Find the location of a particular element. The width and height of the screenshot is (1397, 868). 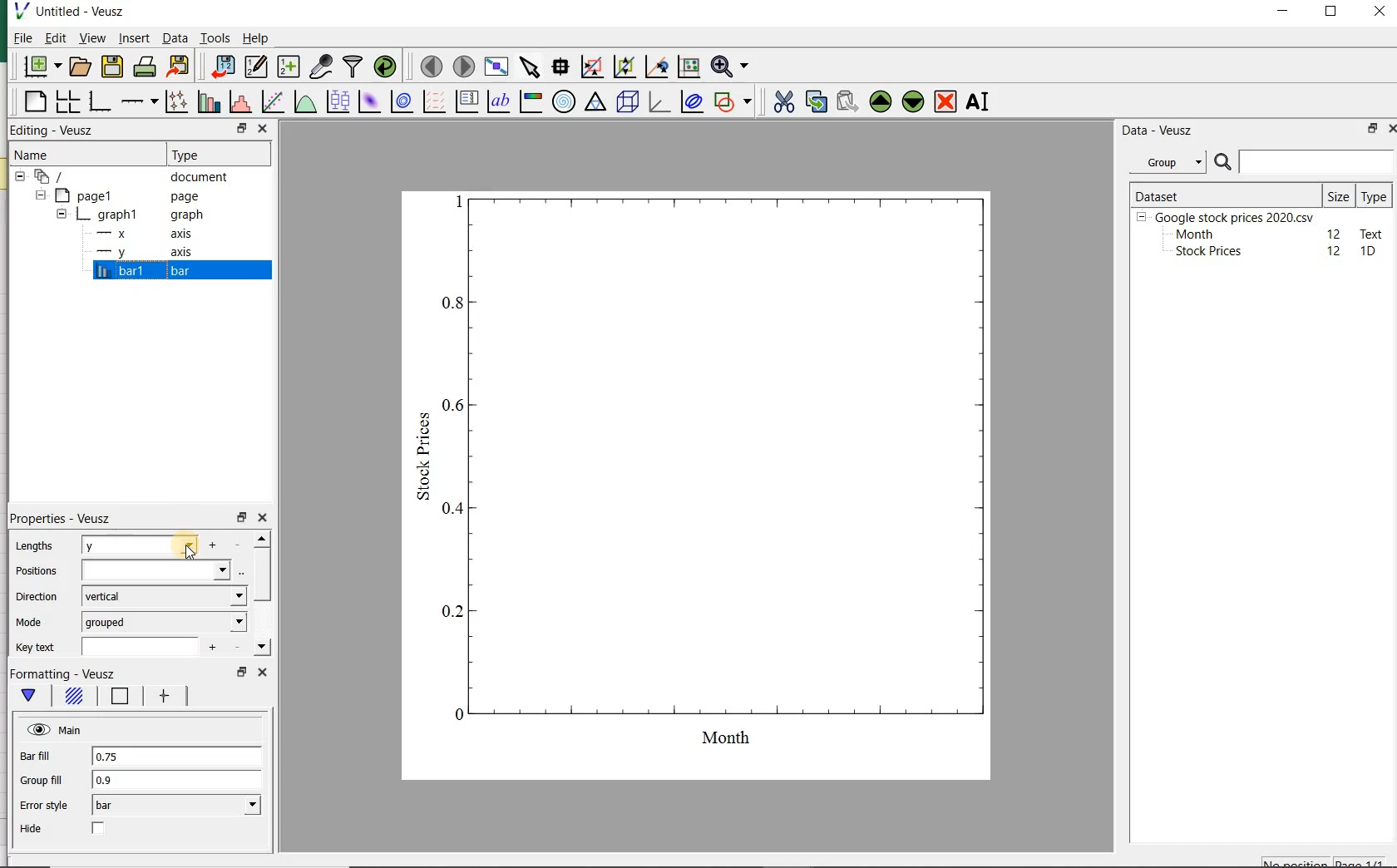

Edit is located at coordinates (54, 37).